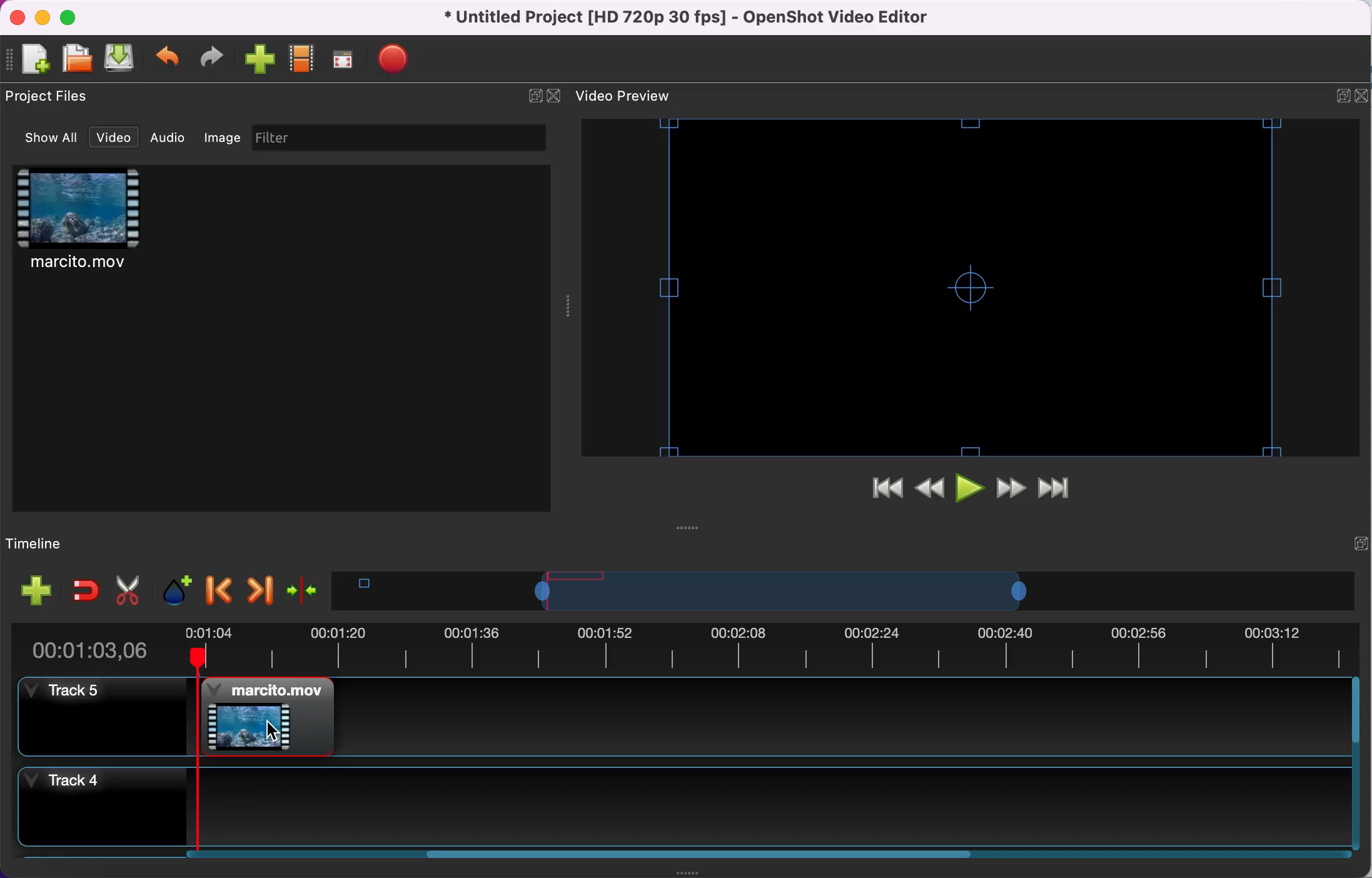 The width and height of the screenshot is (1372, 878). Describe the element at coordinates (344, 60) in the screenshot. I see `fullscreen` at that location.